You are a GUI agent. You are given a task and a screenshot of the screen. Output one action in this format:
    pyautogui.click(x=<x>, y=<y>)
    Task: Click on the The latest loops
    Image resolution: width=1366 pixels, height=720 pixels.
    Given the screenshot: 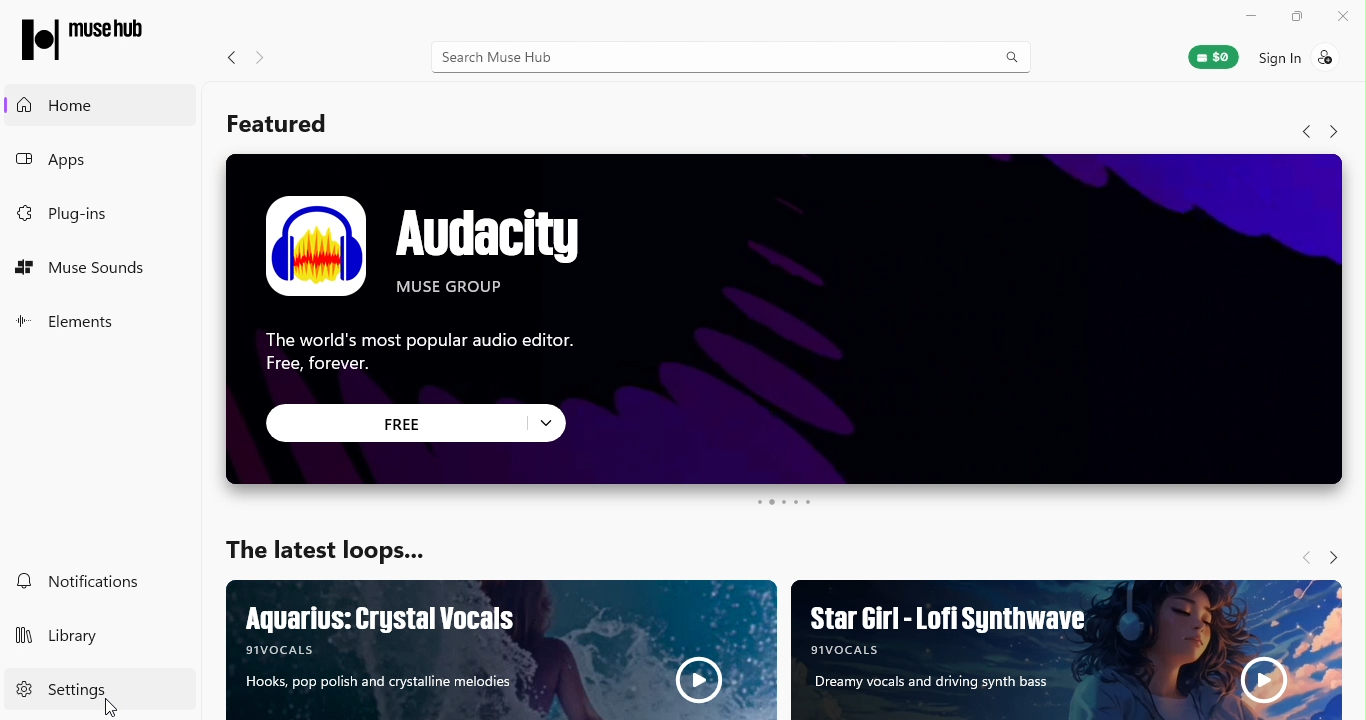 What is the action you would take?
    pyautogui.click(x=324, y=544)
    